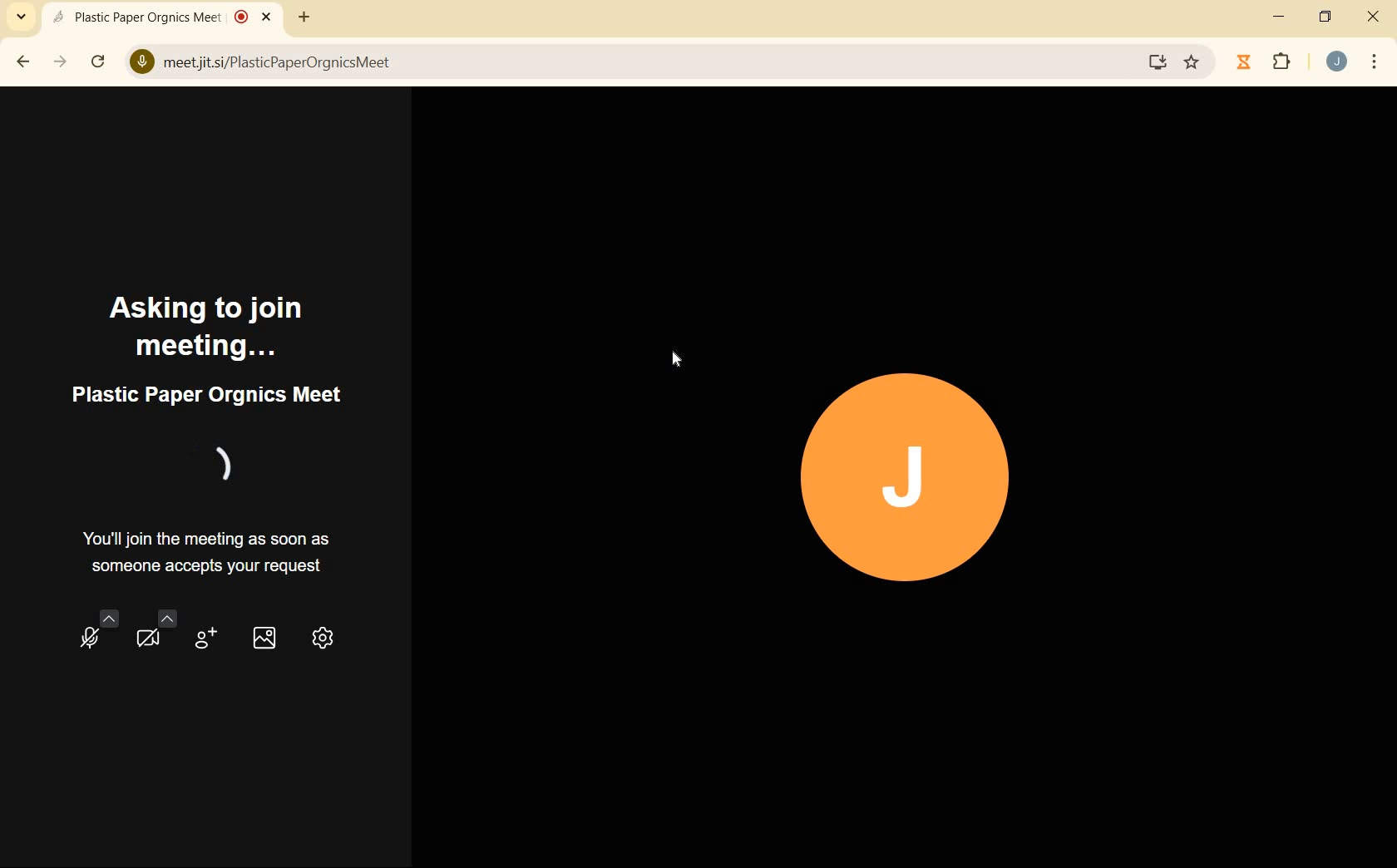 This screenshot has width=1397, height=868. What do you see at coordinates (1375, 62) in the screenshot?
I see `customize google chrome` at bounding box center [1375, 62].